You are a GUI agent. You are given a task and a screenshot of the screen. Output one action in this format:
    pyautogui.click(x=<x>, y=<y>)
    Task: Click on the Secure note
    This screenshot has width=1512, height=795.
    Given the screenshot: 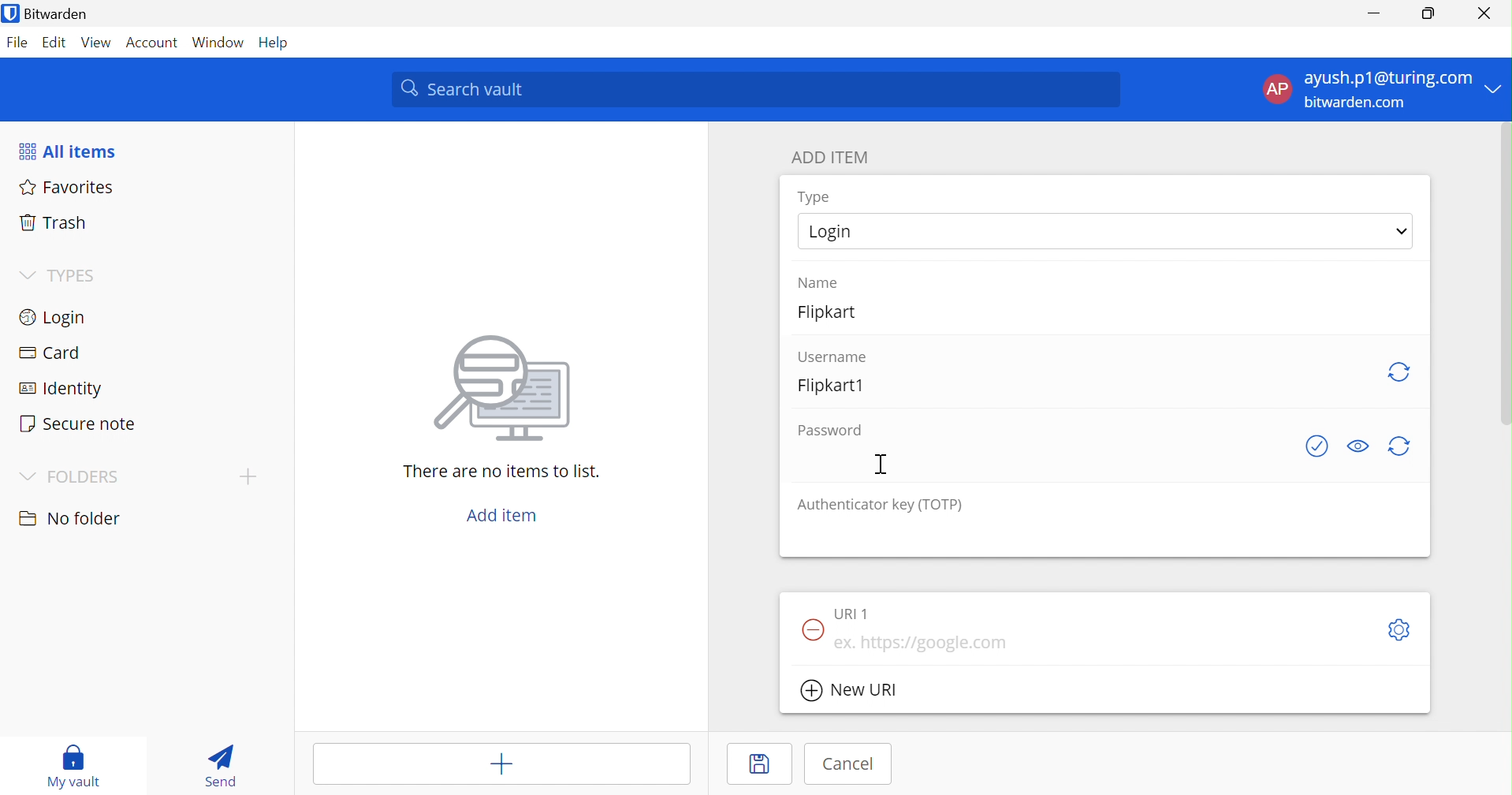 What is the action you would take?
    pyautogui.click(x=80, y=426)
    